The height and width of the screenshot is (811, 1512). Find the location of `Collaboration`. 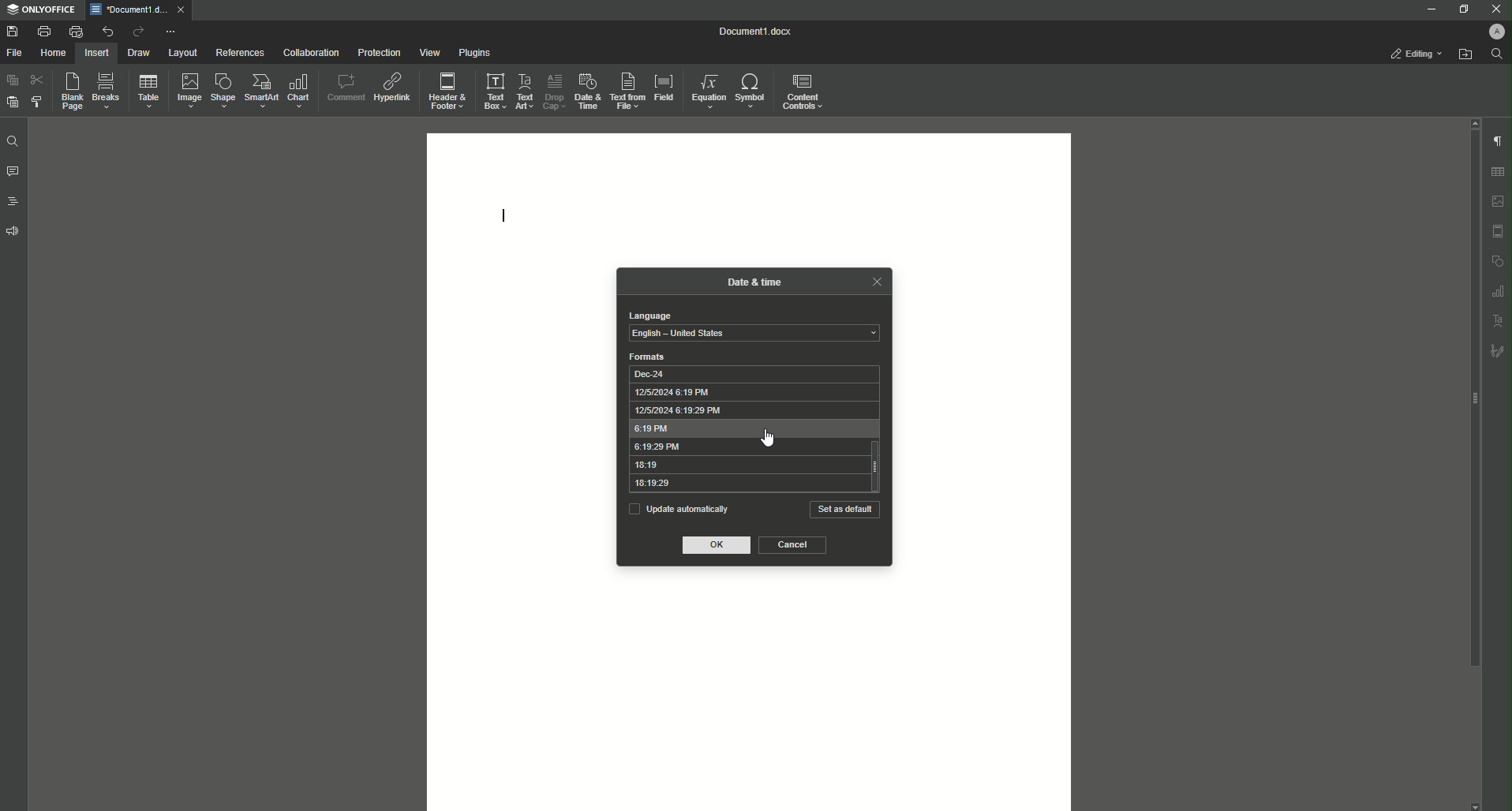

Collaboration is located at coordinates (308, 51).